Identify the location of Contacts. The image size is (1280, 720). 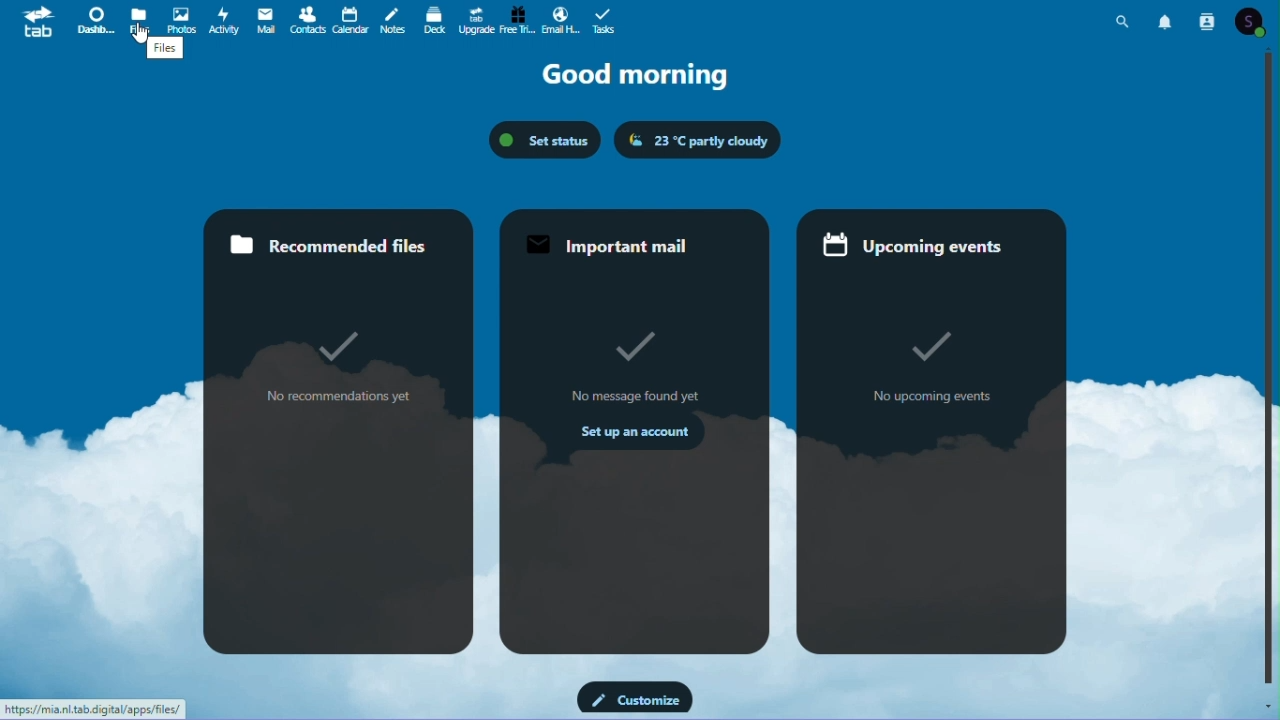
(1208, 19).